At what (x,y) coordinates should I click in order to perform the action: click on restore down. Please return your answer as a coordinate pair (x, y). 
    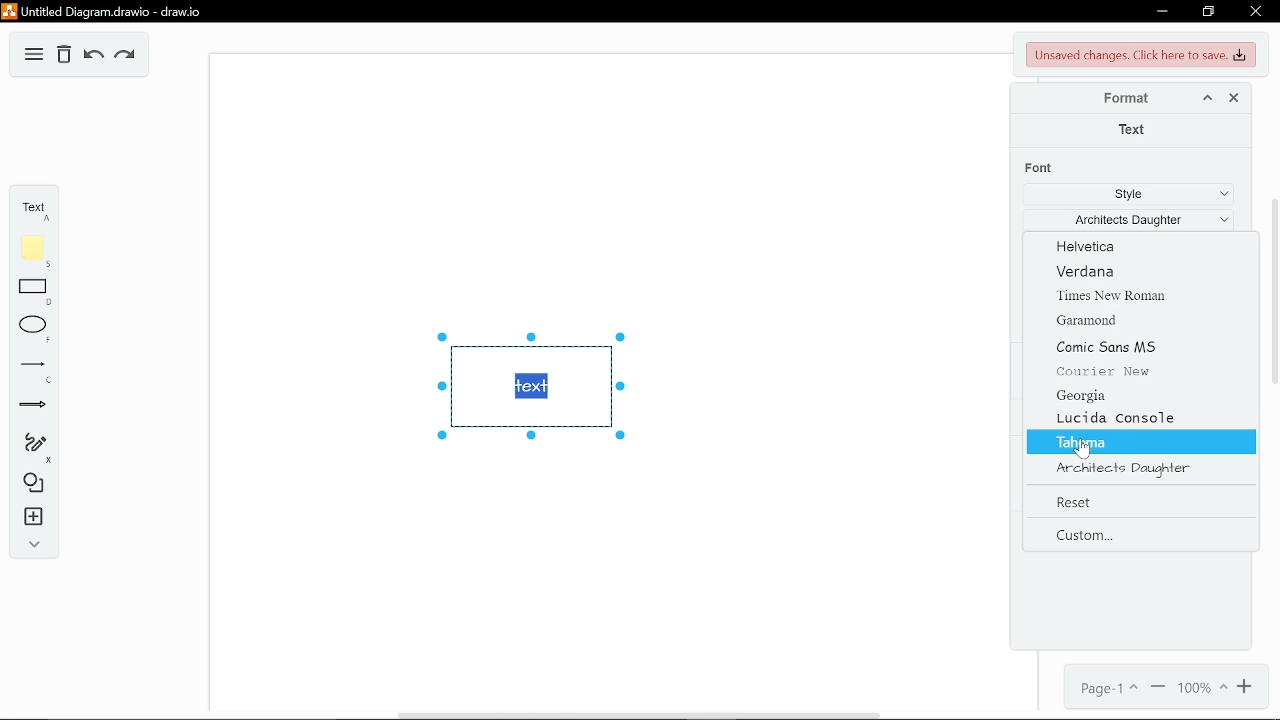
    Looking at the image, I should click on (1210, 12).